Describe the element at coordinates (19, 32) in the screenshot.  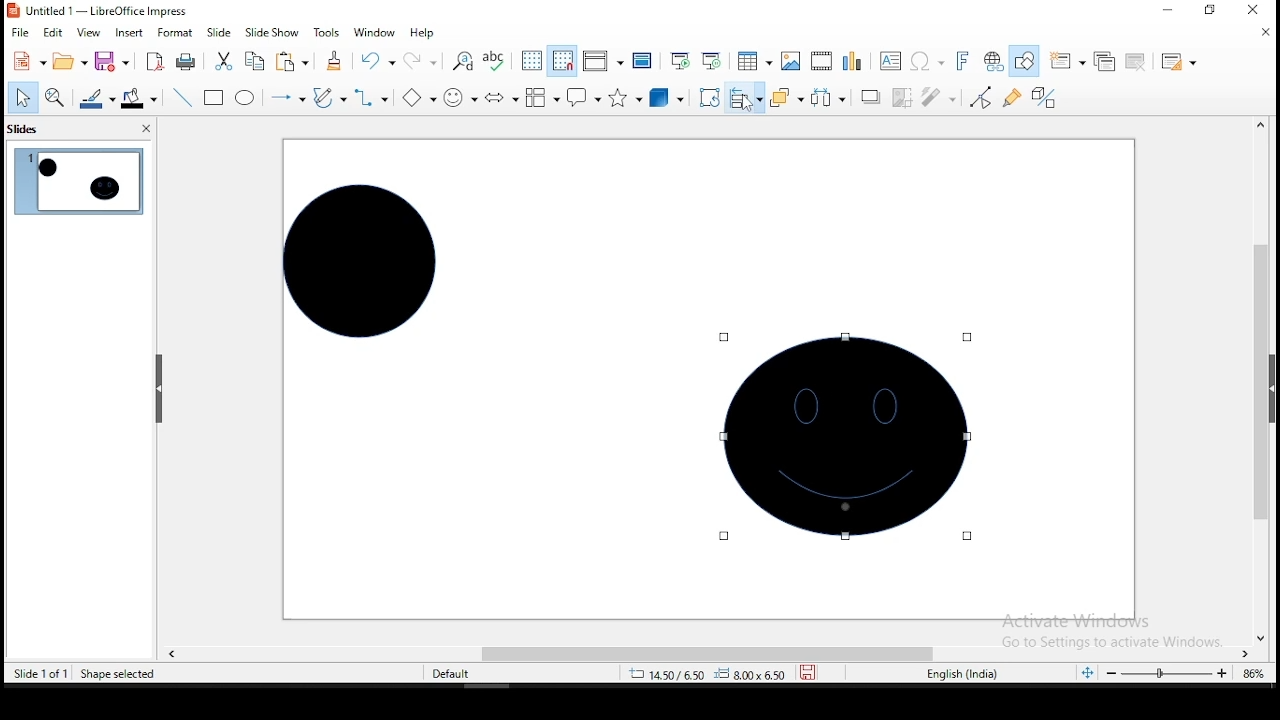
I see `file` at that location.